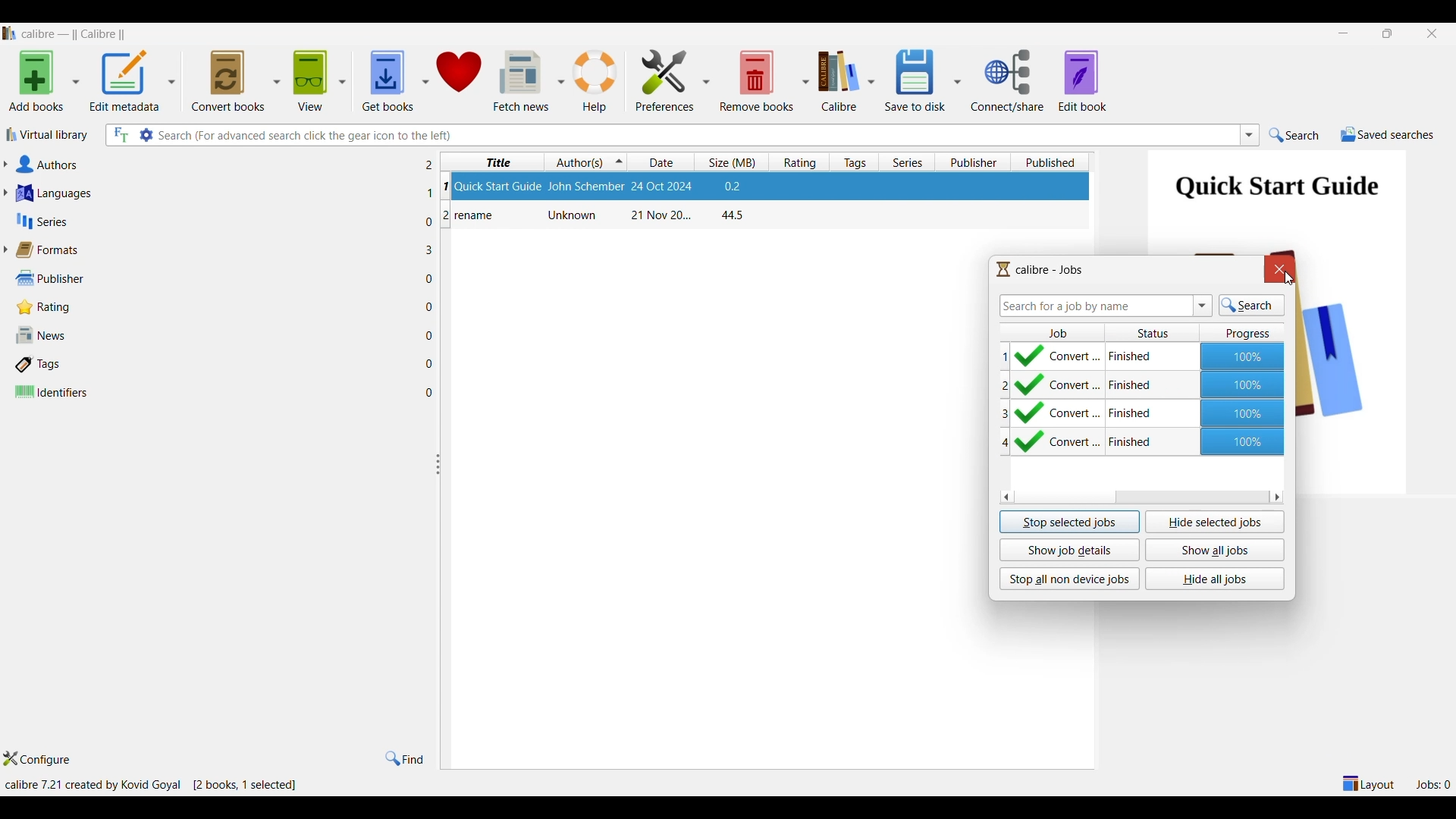  I want to click on List searches, so click(1250, 135).